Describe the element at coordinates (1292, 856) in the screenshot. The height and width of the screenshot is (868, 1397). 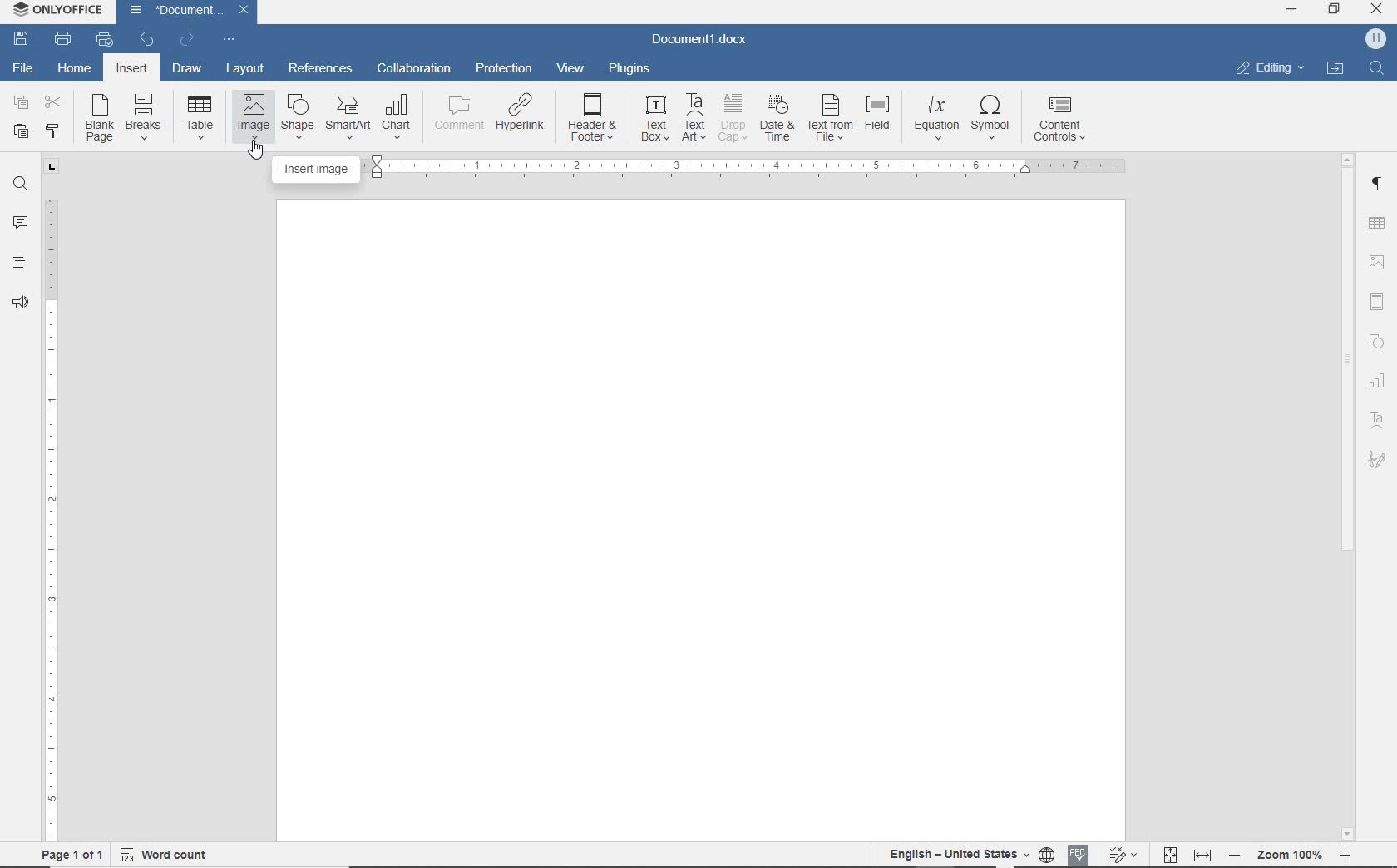
I see `- zoom 100% +(zoom out or zoom in)` at that location.